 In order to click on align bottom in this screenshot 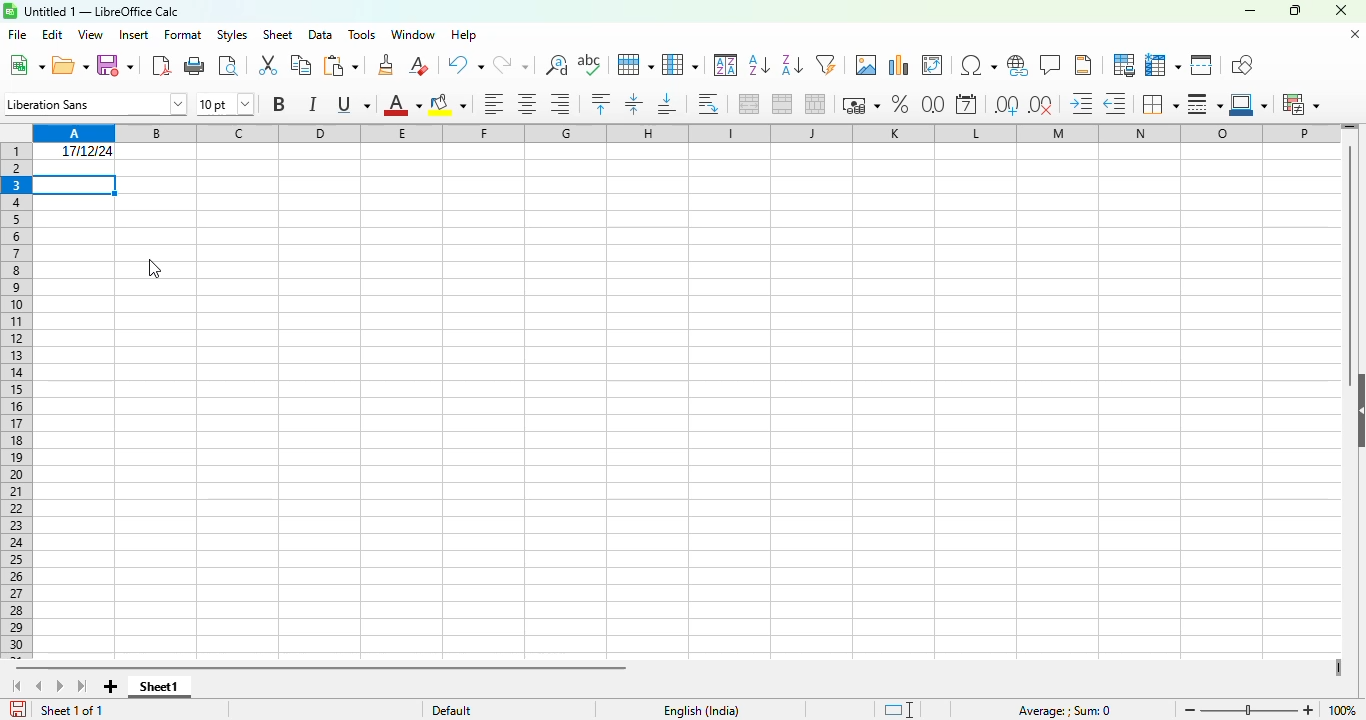, I will do `click(667, 104)`.